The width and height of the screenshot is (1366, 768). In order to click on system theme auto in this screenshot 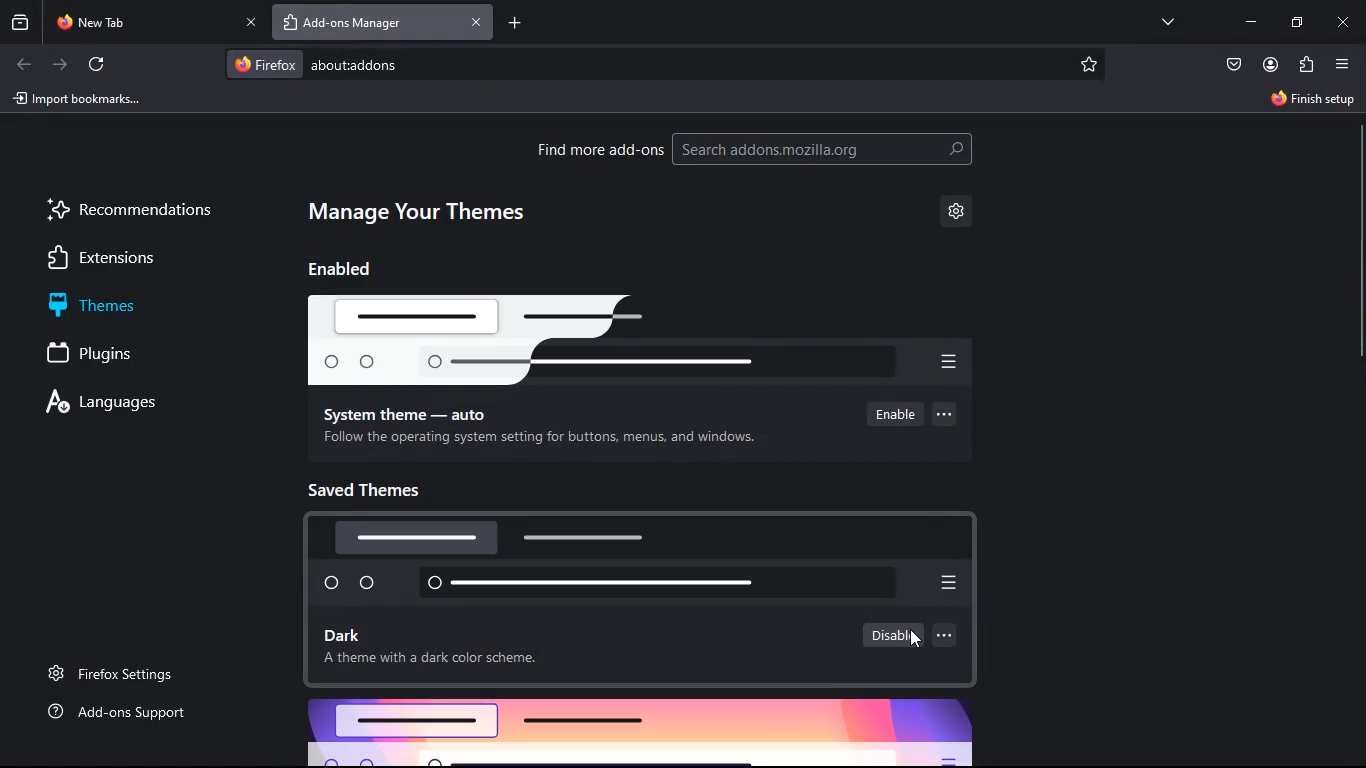, I will do `click(410, 413)`.